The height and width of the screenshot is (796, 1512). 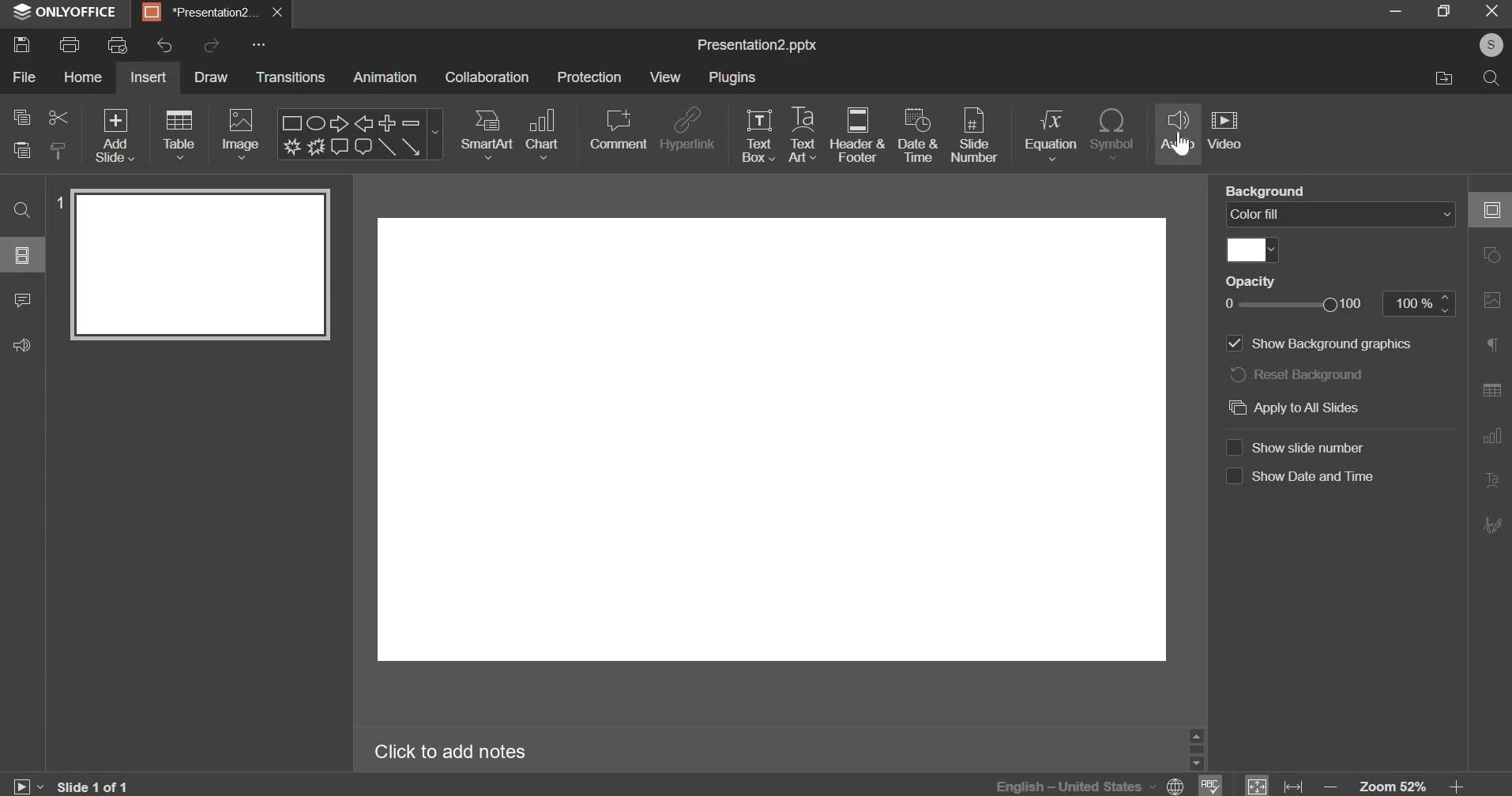 What do you see at coordinates (213, 45) in the screenshot?
I see `redo` at bounding box center [213, 45].